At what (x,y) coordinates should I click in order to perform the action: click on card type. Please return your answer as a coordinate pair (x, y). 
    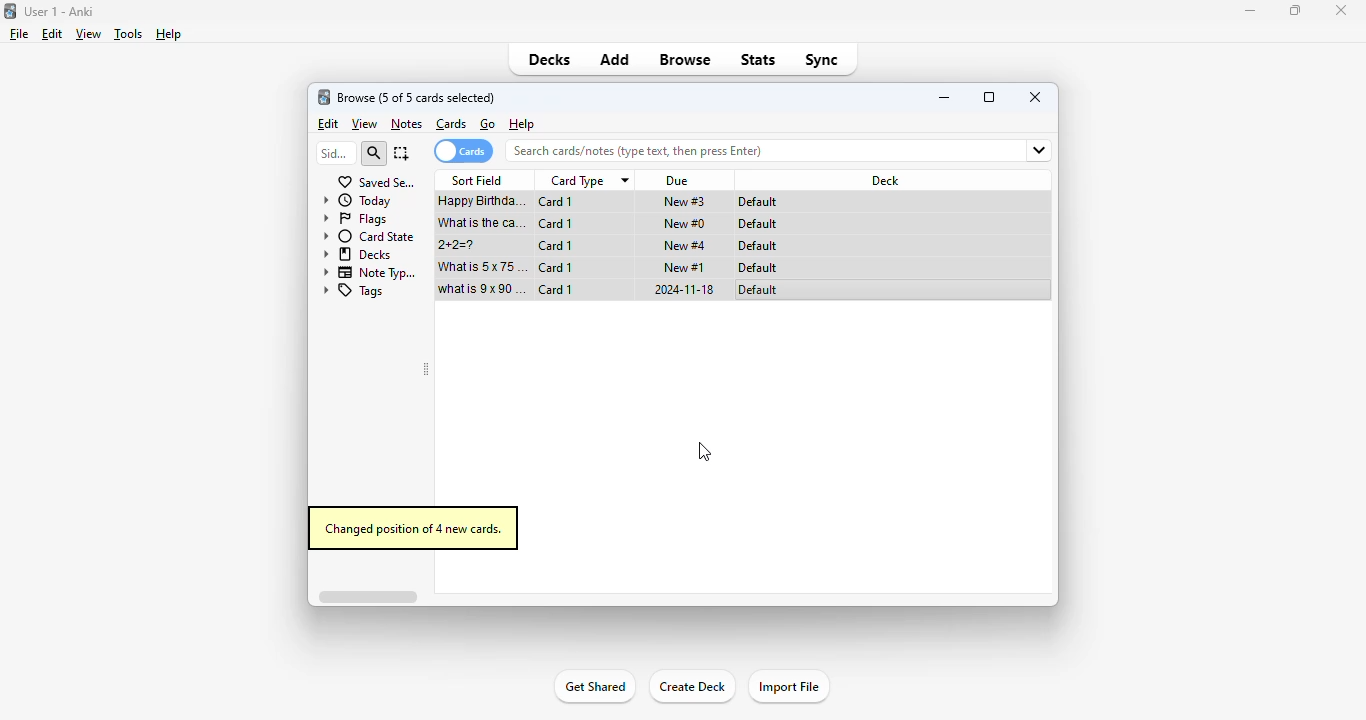
    Looking at the image, I should click on (588, 181).